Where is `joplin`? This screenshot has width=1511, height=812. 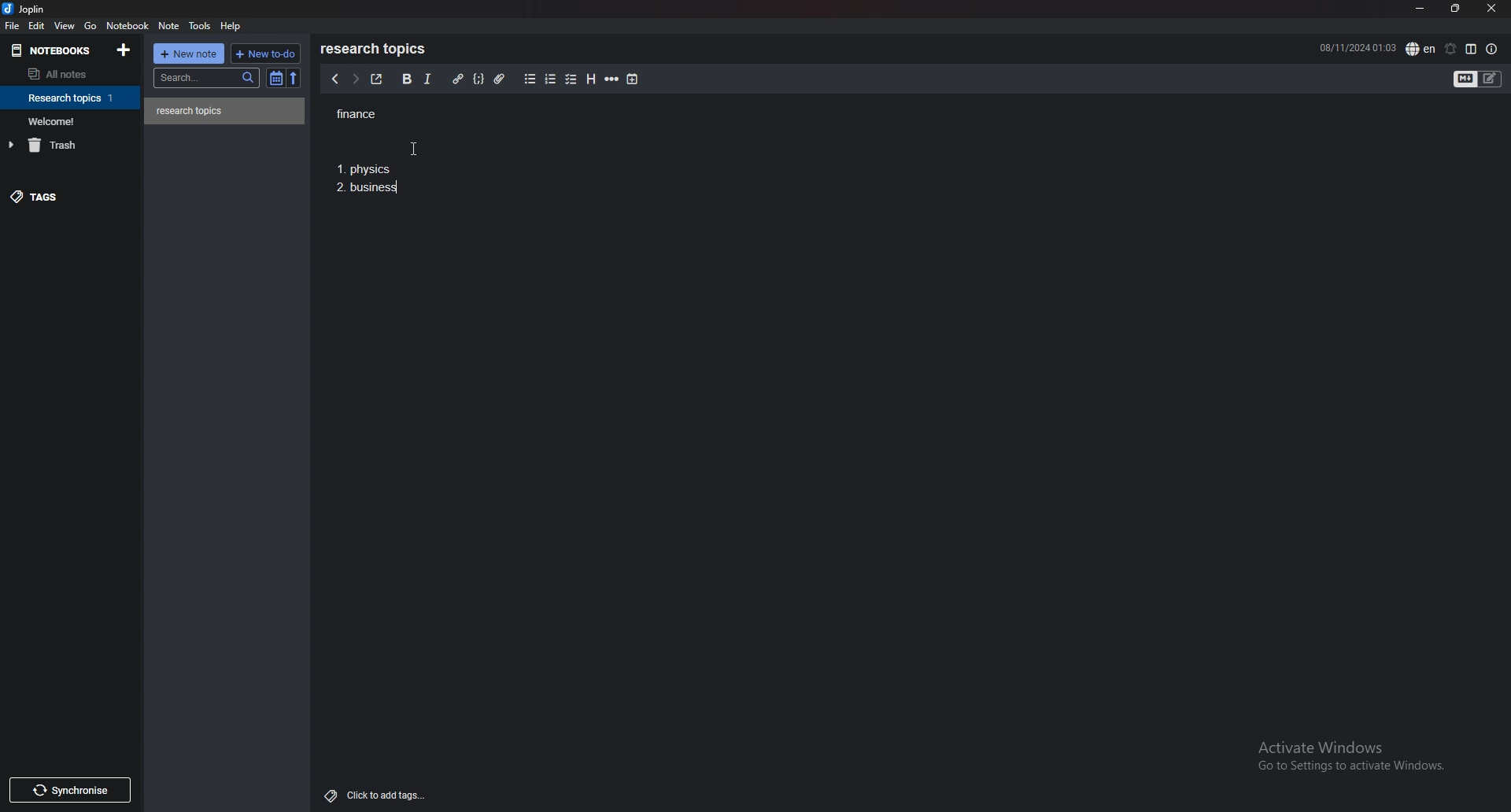 joplin is located at coordinates (25, 10).